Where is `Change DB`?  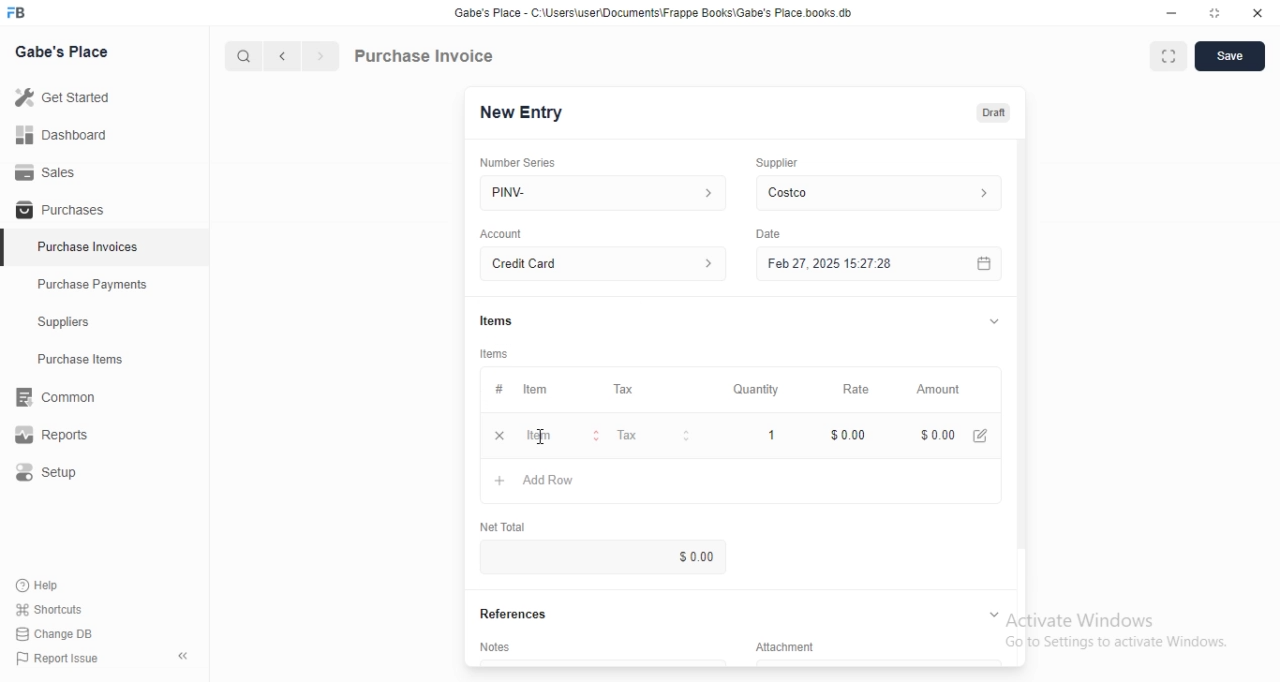
Change DB is located at coordinates (54, 634).